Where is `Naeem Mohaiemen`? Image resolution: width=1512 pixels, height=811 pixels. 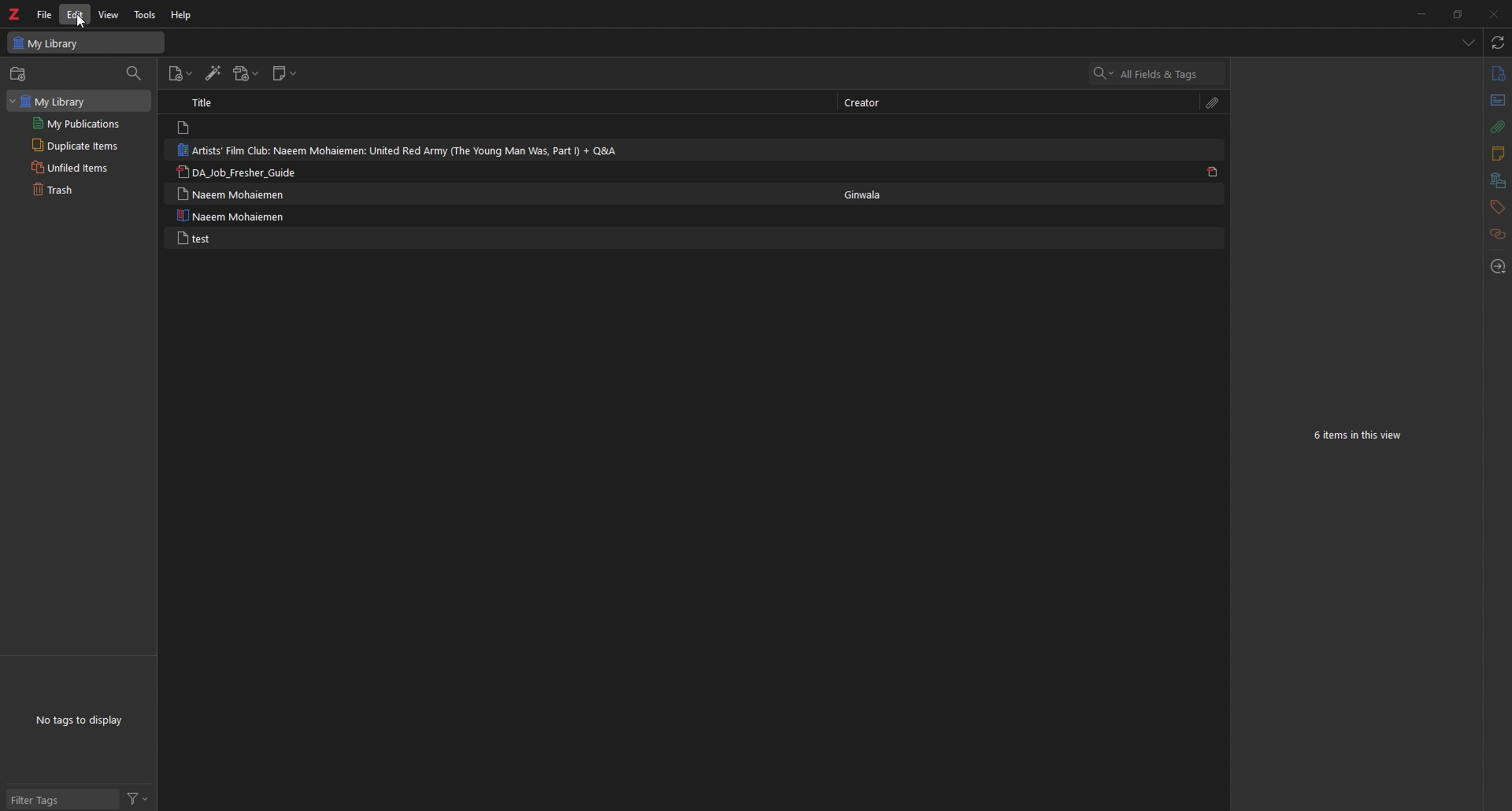
Naeem Mohaiemen is located at coordinates (234, 216).